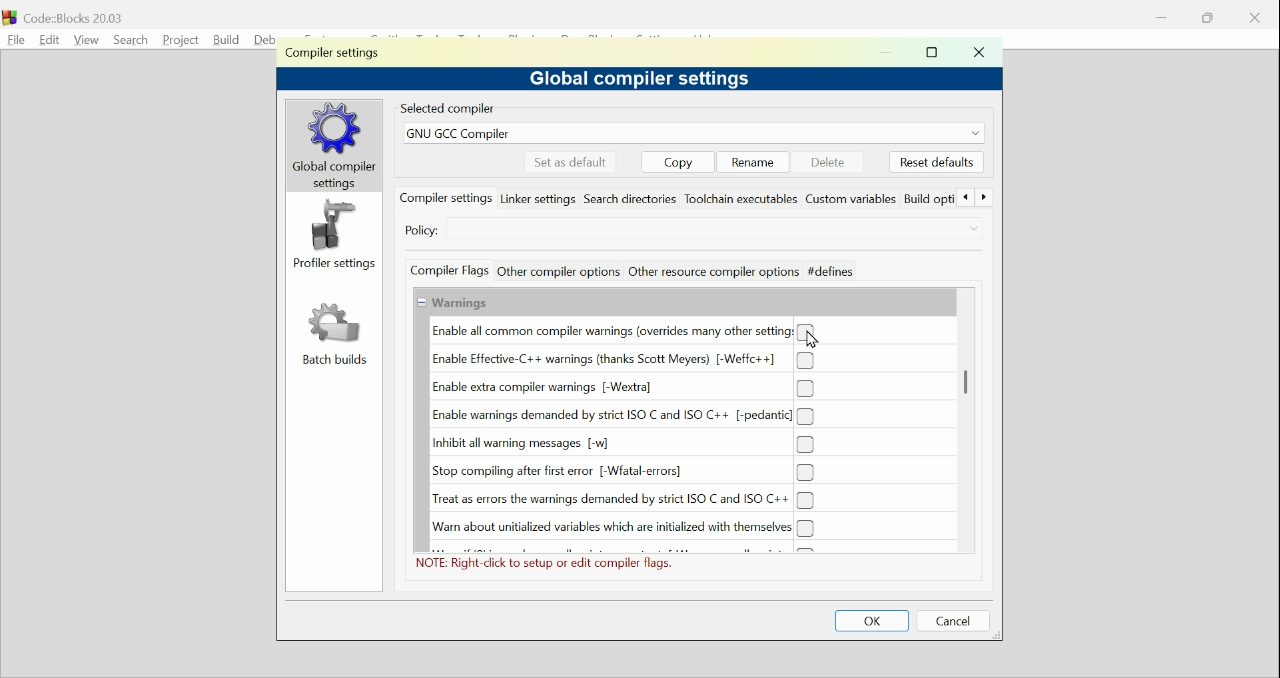 This screenshot has height=678, width=1280. What do you see at coordinates (557, 271) in the screenshot?
I see `Other compiler actions` at bounding box center [557, 271].